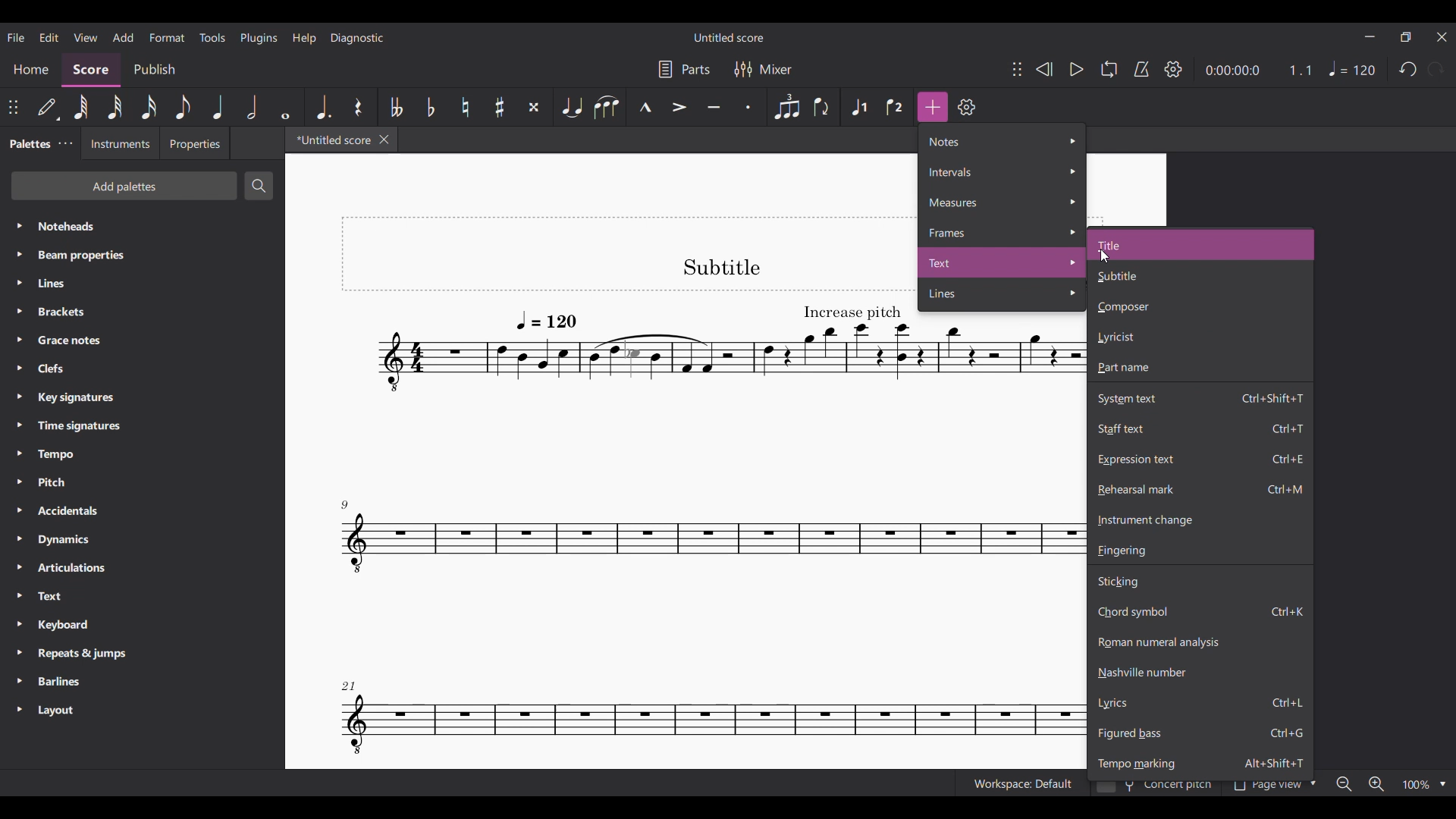  I want to click on Zoom options, so click(1425, 784).